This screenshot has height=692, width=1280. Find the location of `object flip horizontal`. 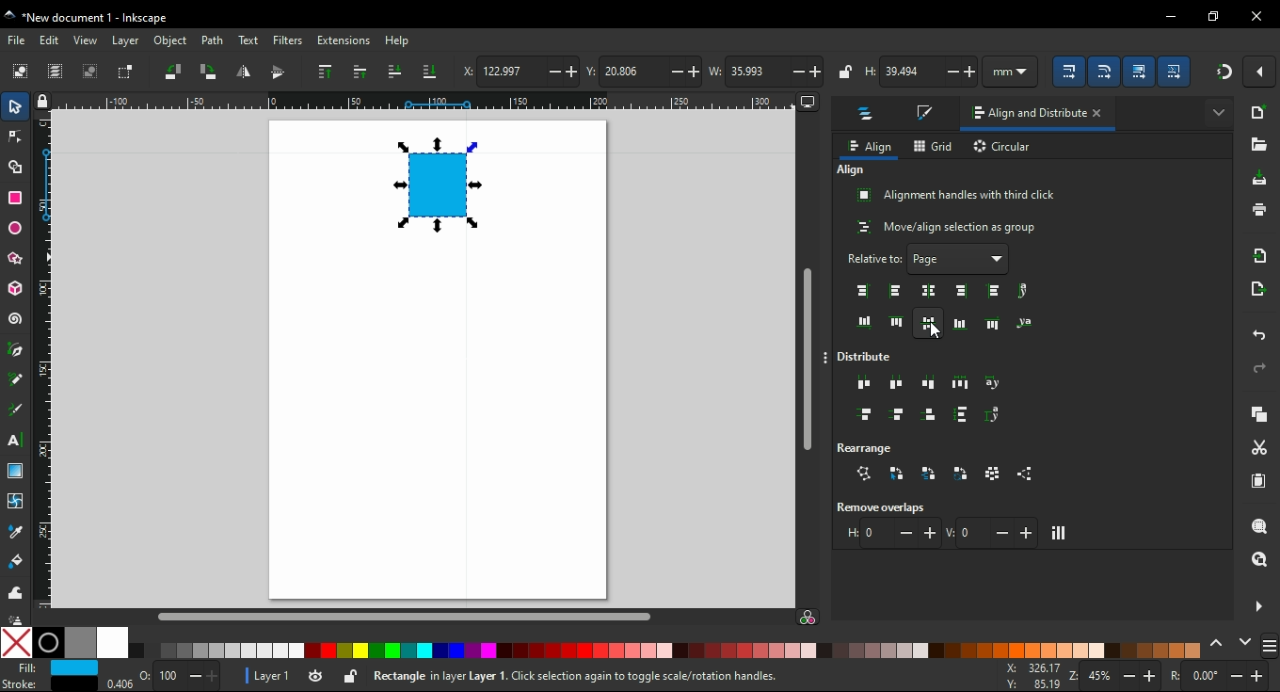

object flip horizontal is located at coordinates (243, 73).